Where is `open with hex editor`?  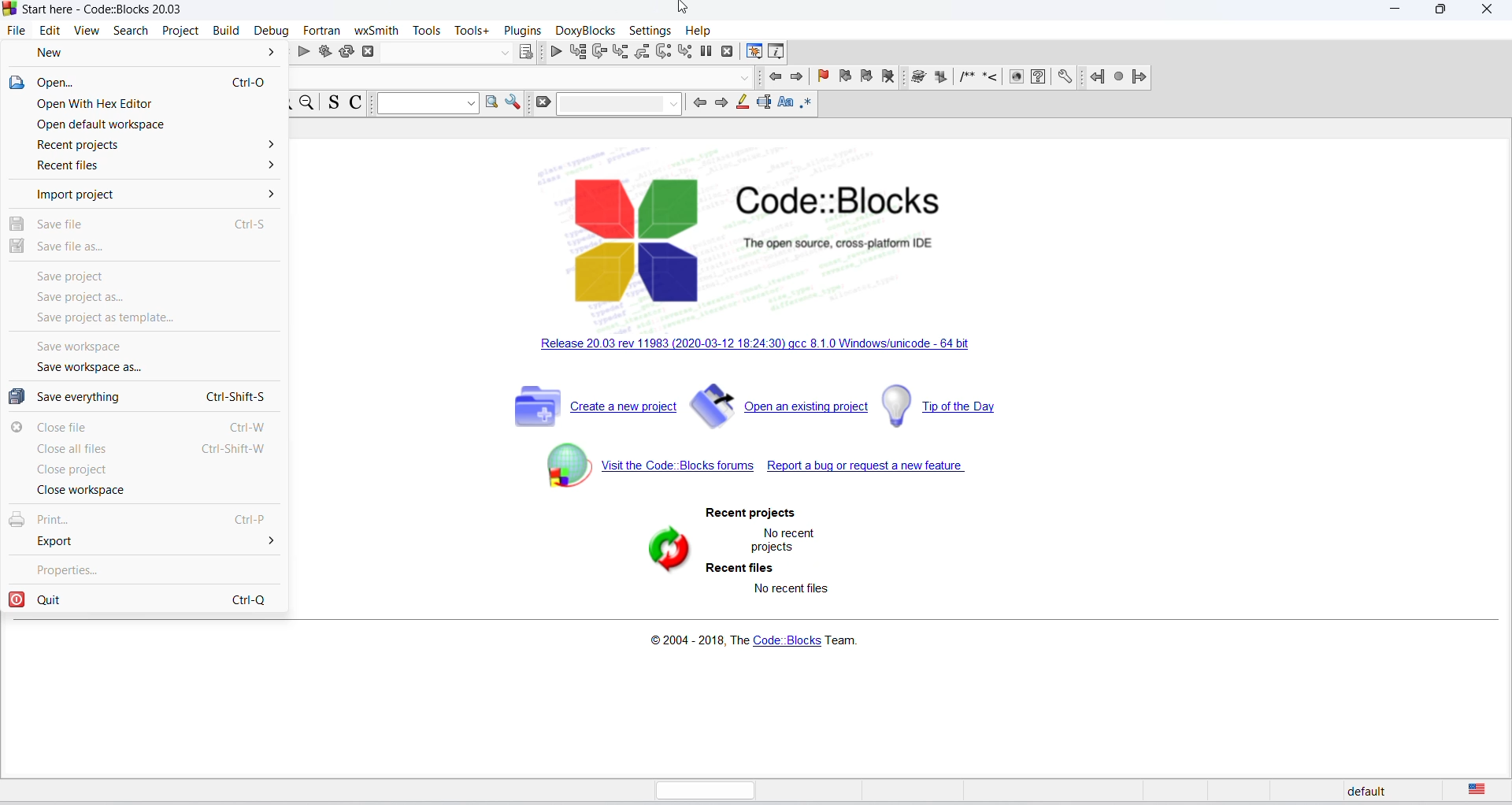
open with hex editor is located at coordinates (144, 106).